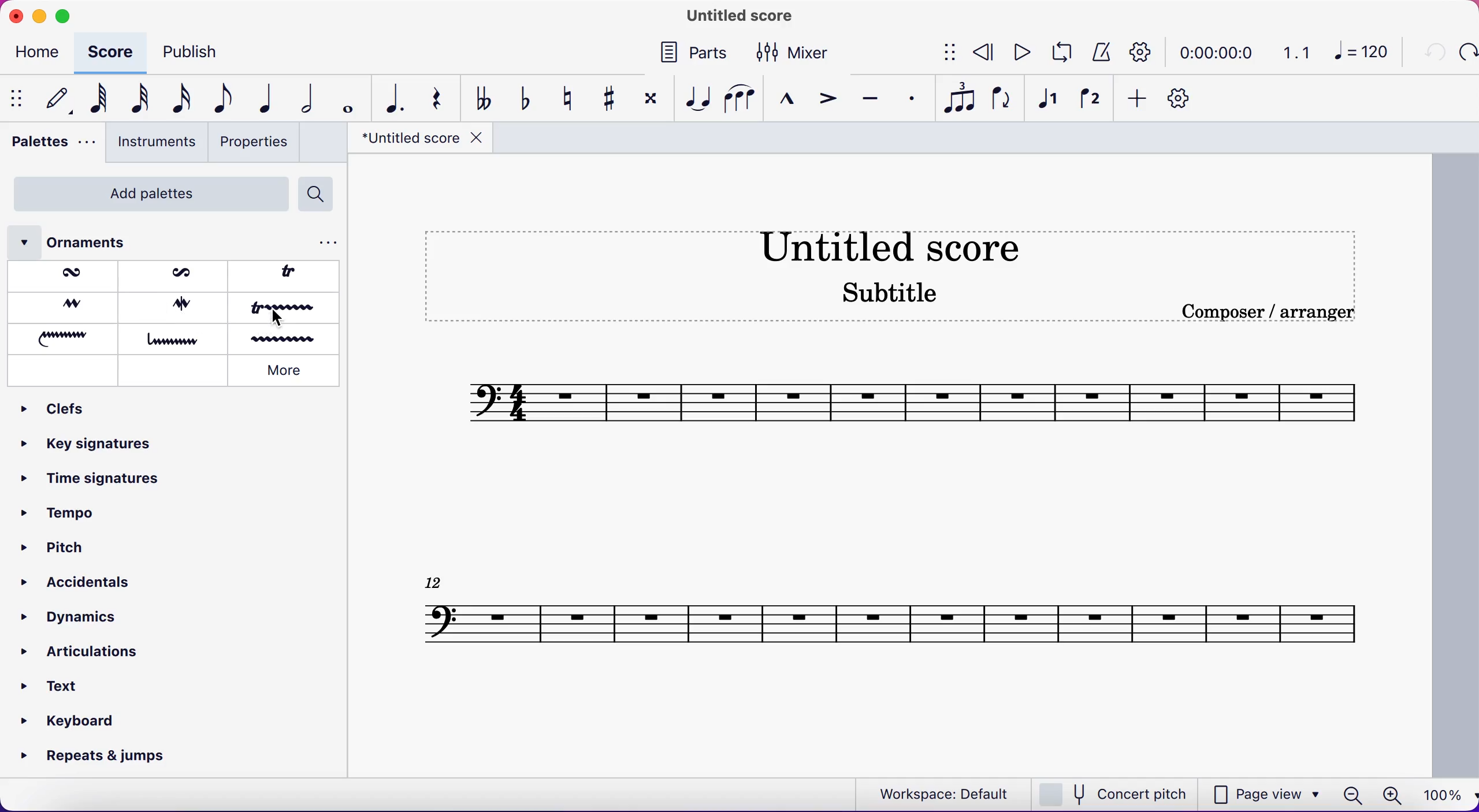 This screenshot has width=1479, height=812. I want to click on show/hide, so click(16, 99).